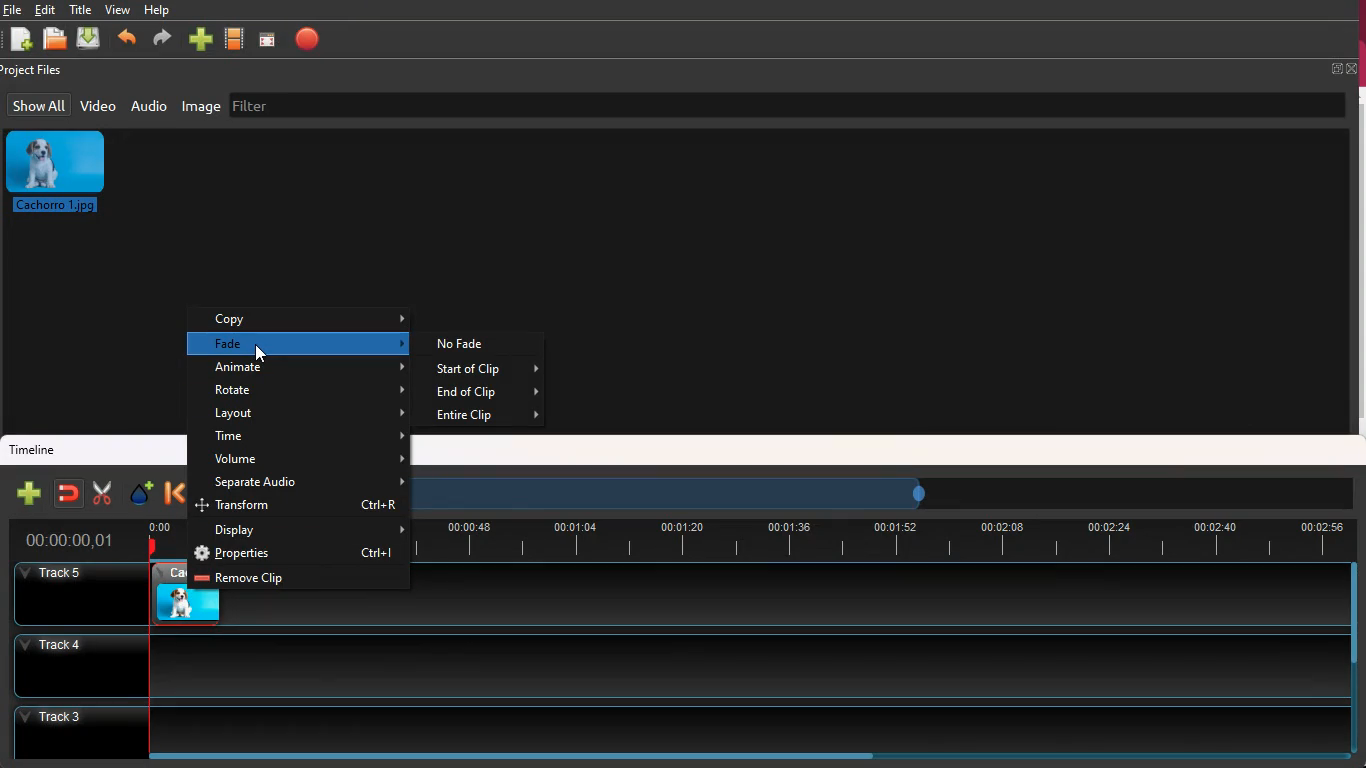  I want to click on remove clip, so click(296, 579).